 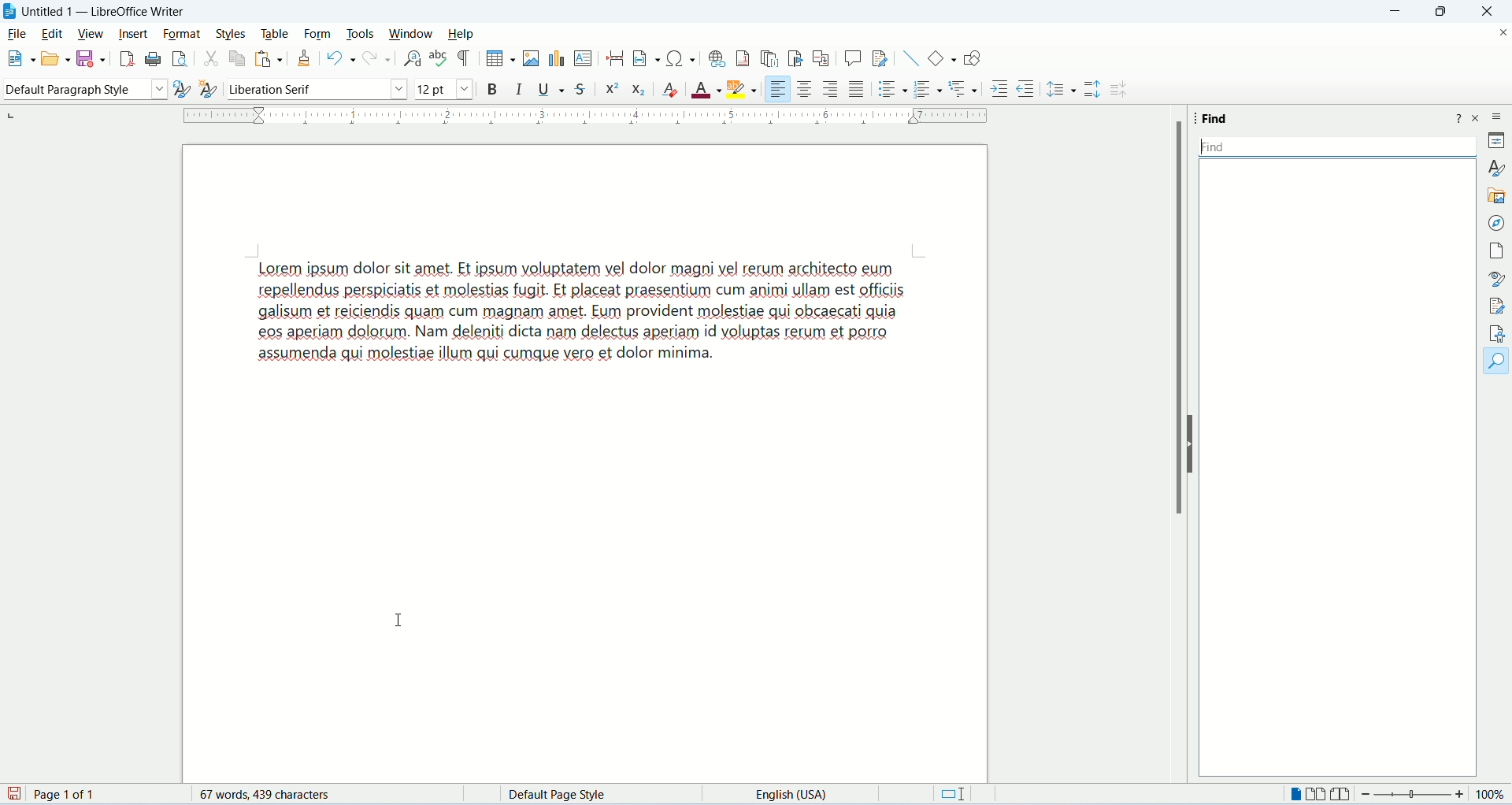 What do you see at coordinates (1499, 35) in the screenshot?
I see `close` at bounding box center [1499, 35].